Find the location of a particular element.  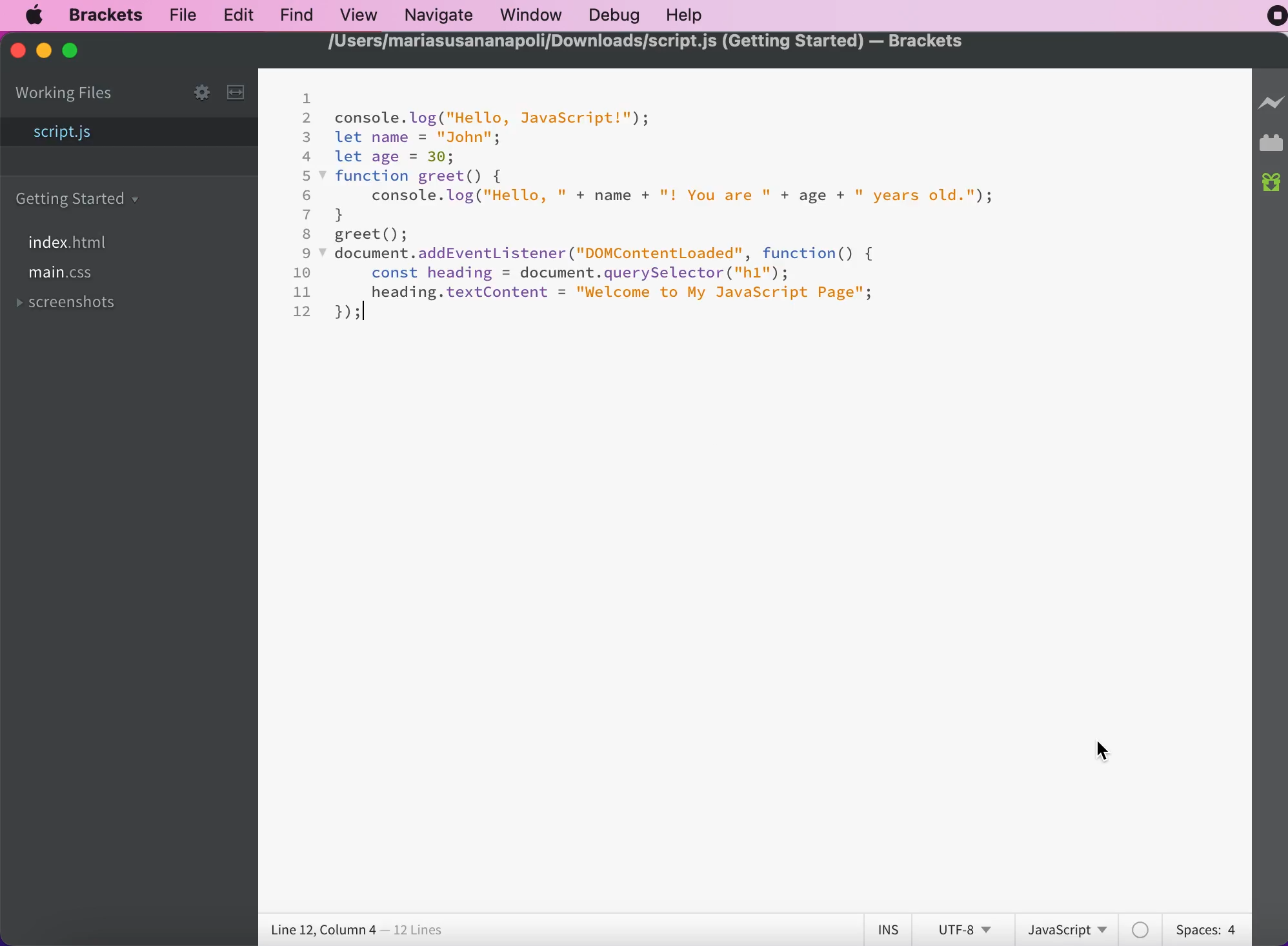

screenshots is located at coordinates (72, 305).